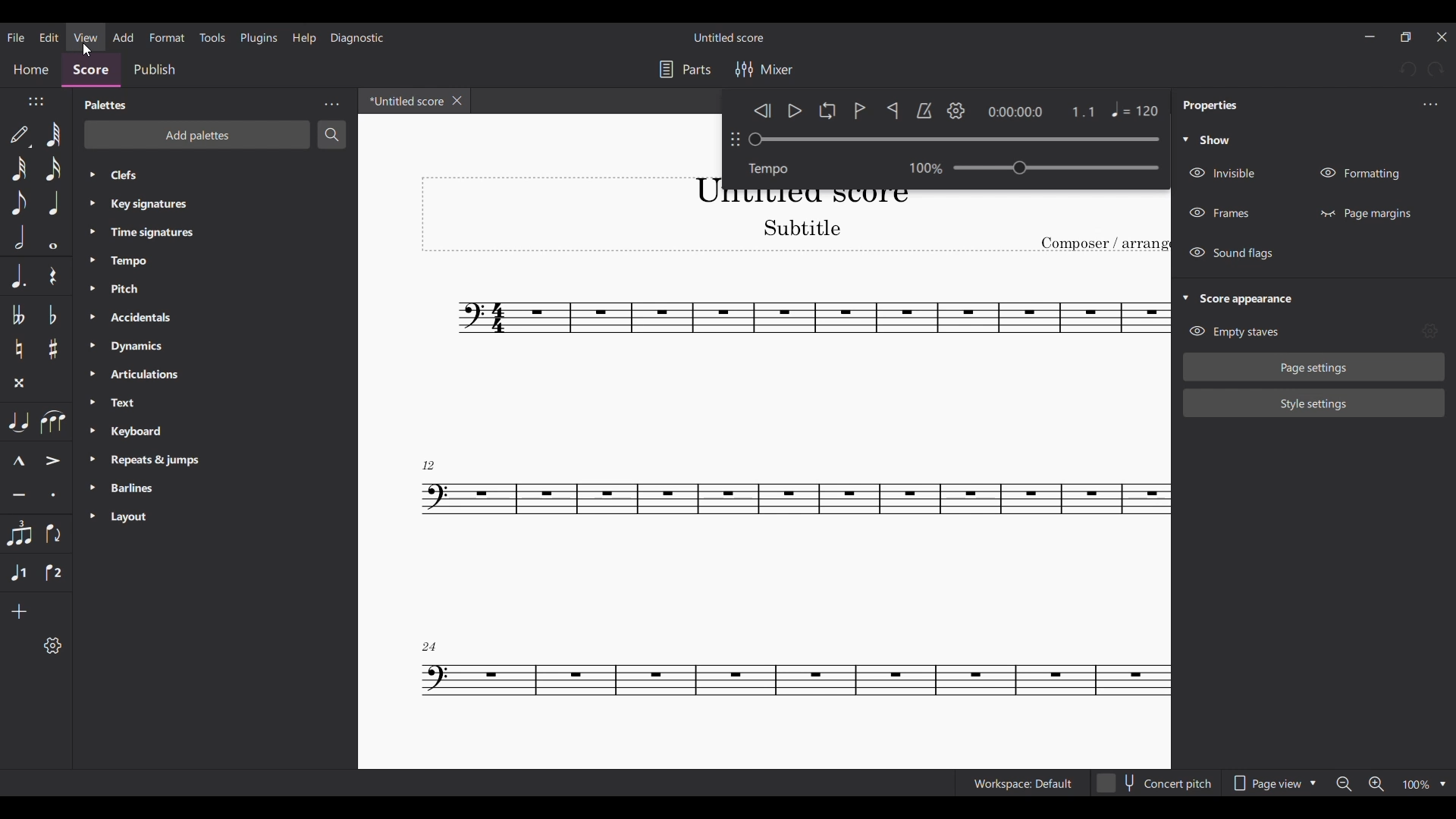  What do you see at coordinates (18, 237) in the screenshot?
I see `Half note` at bounding box center [18, 237].